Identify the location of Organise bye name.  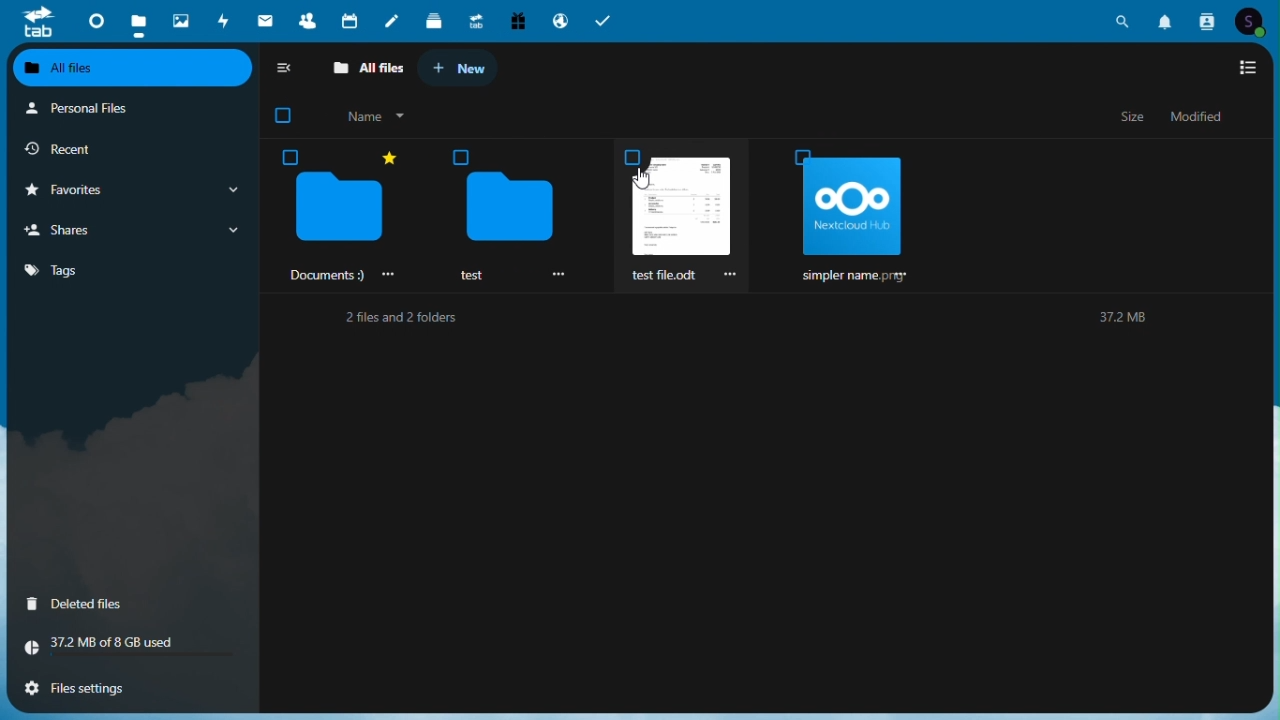
(381, 120).